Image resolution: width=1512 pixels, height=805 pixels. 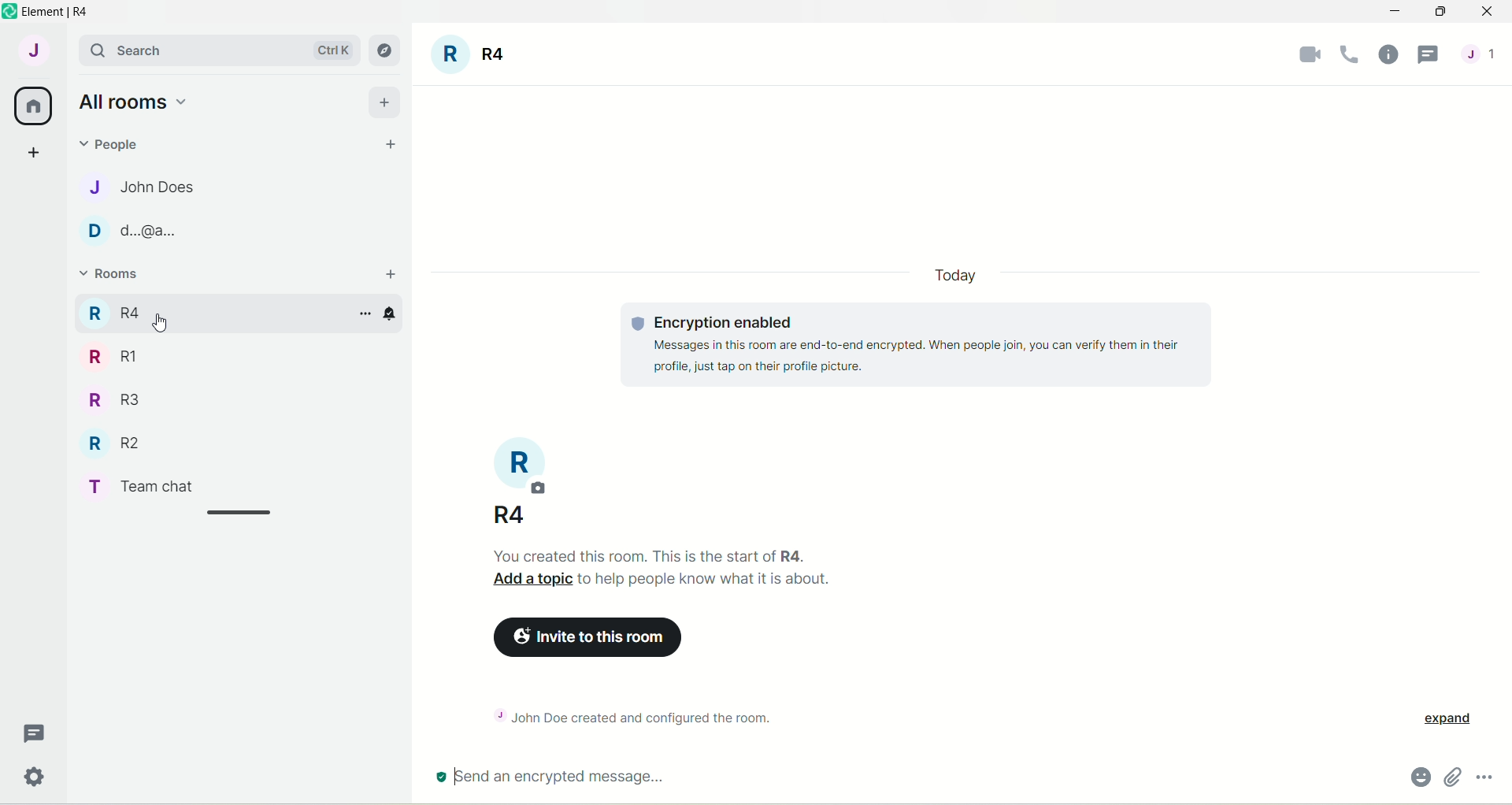 I want to click on attachments, so click(x=1454, y=777).